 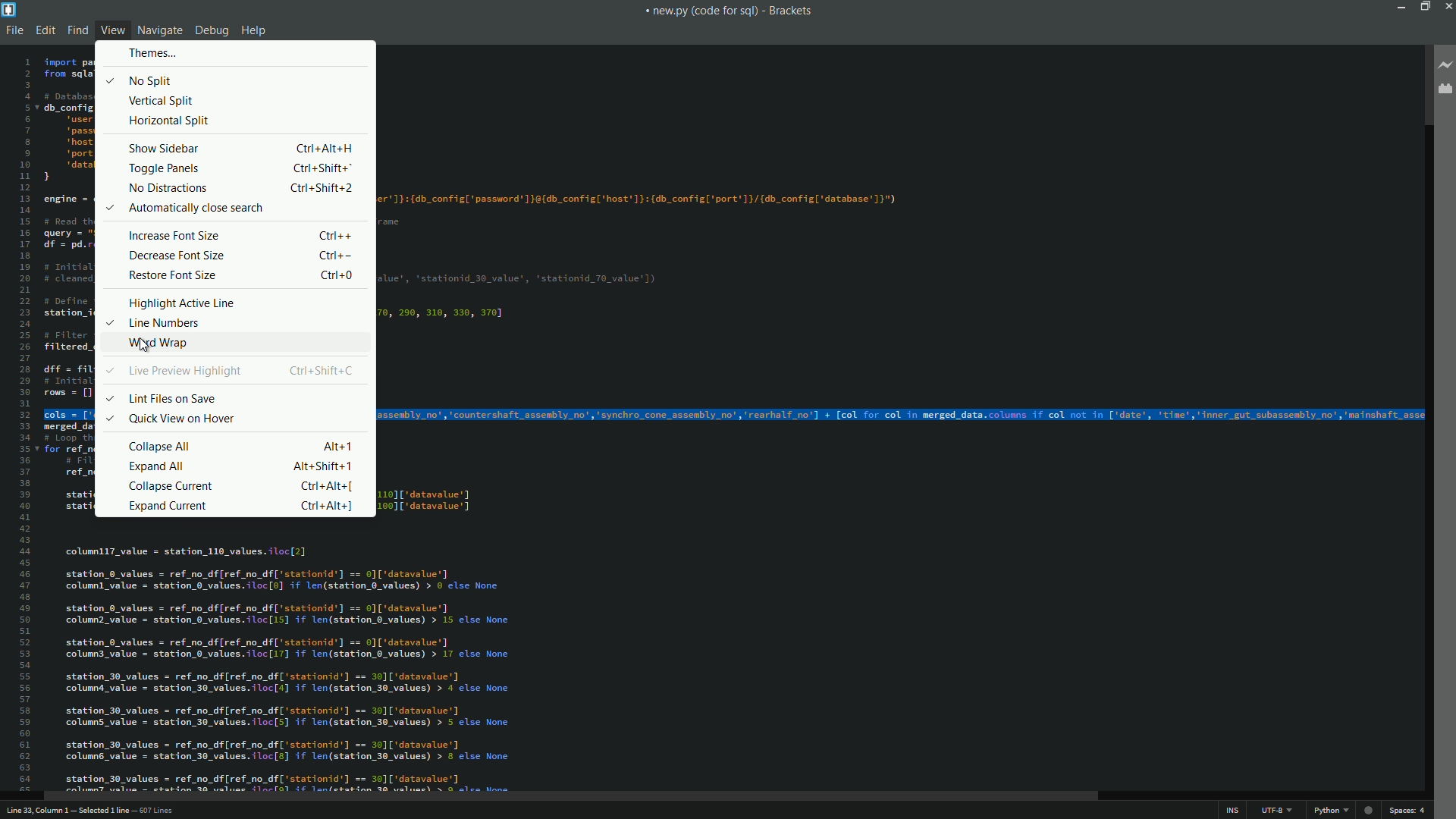 I want to click on increase font size, so click(x=176, y=235).